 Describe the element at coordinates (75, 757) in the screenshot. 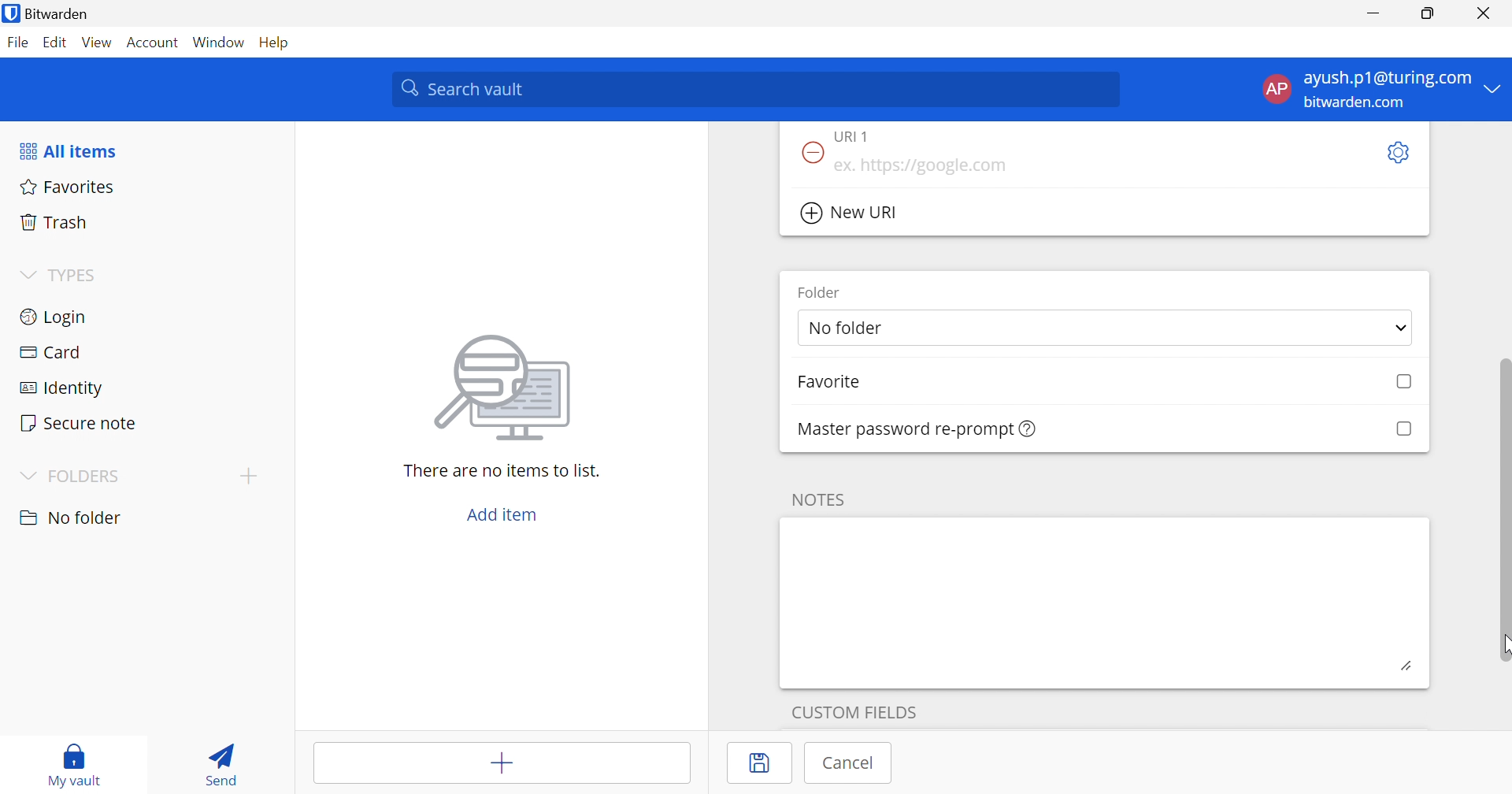

I see `My vault` at that location.